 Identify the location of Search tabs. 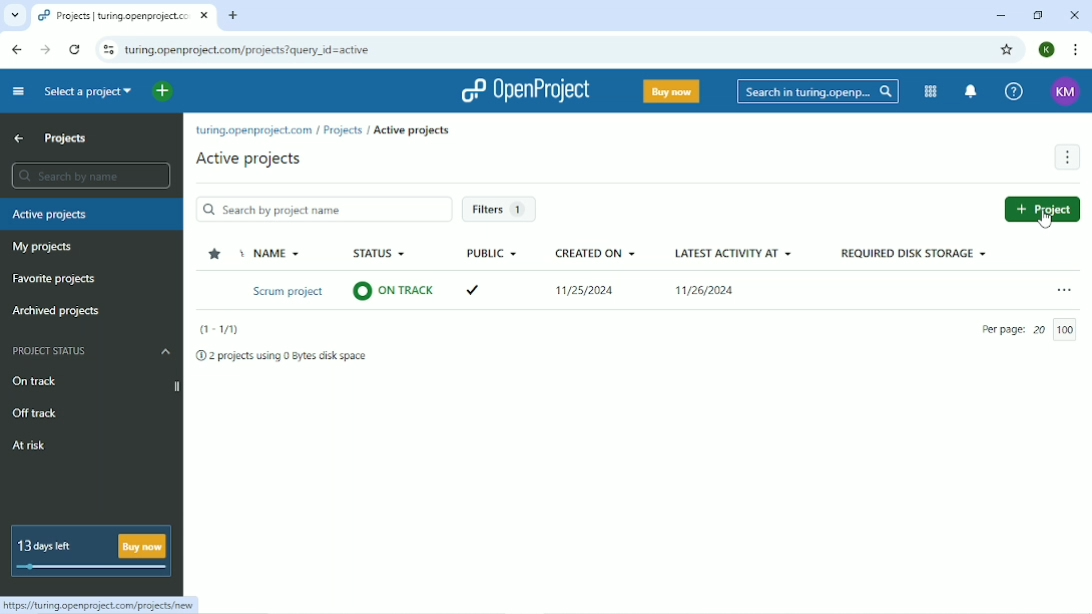
(14, 16).